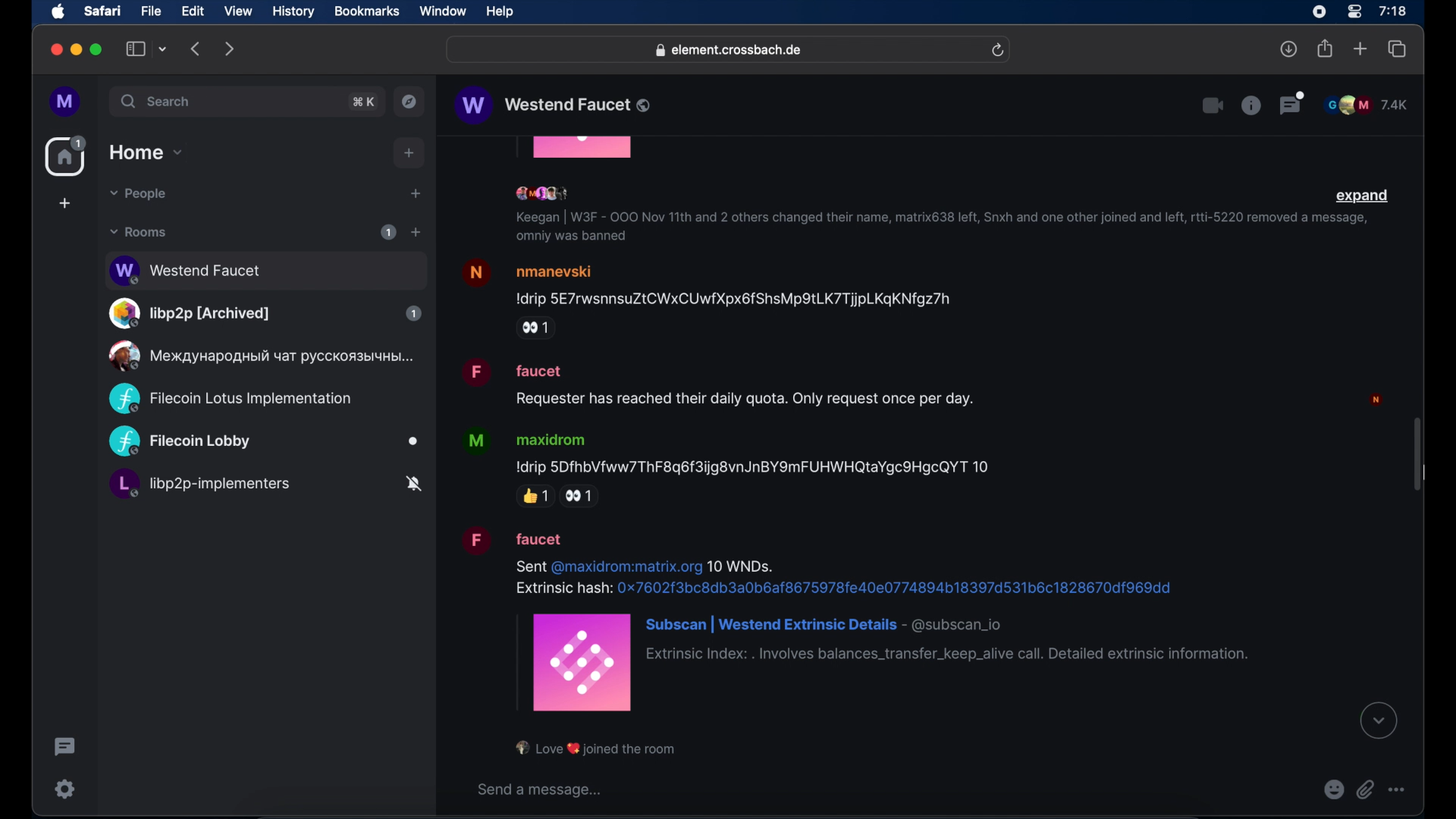 The height and width of the screenshot is (819, 1456). What do you see at coordinates (163, 49) in the screenshot?
I see `tab group picker` at bounding box center [163, 49].